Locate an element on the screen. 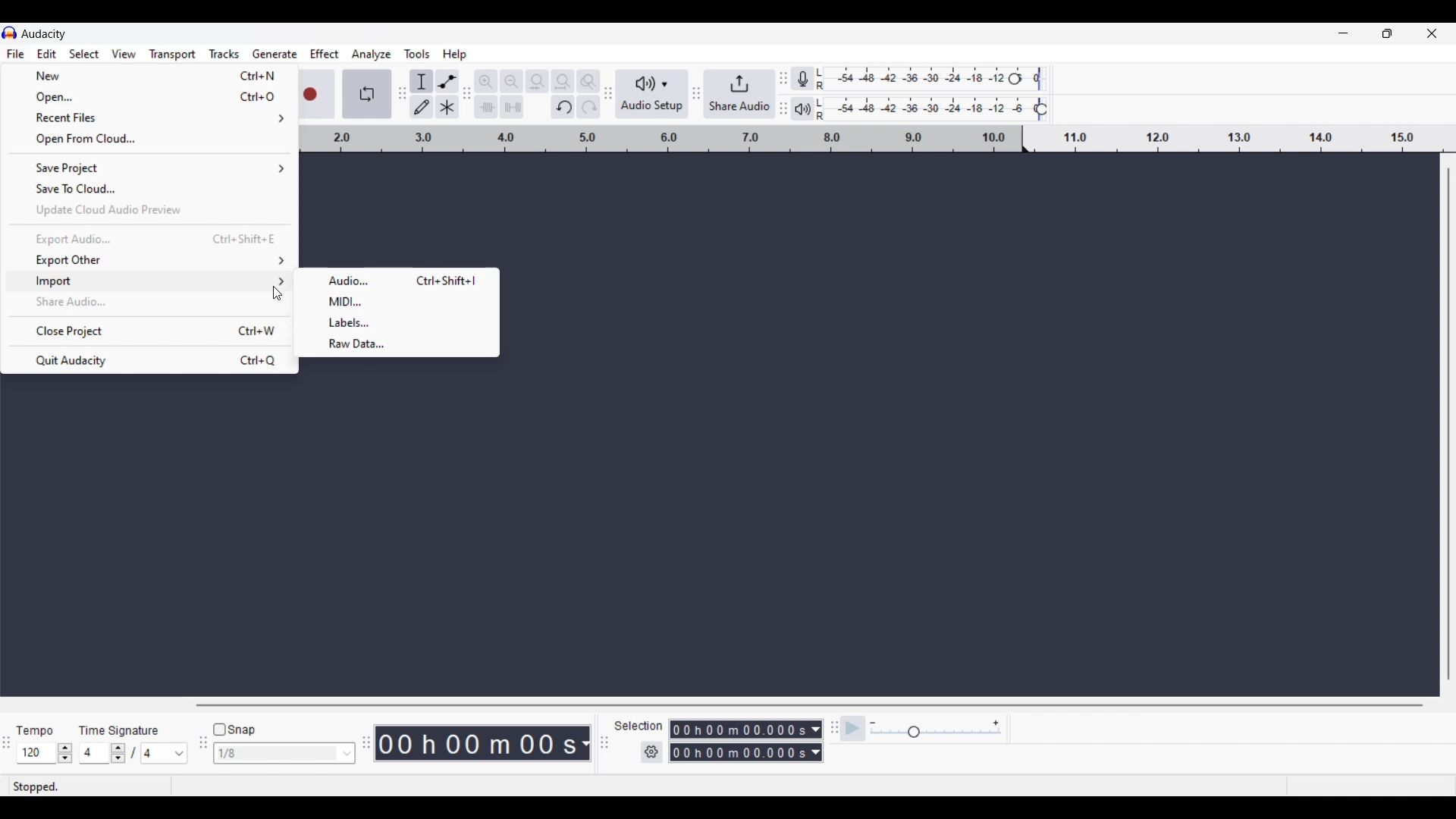 The height and width of the screenshot is (819, 1456). Export audio   Ctrl+Shift+L is located at coordinates (149, 240).